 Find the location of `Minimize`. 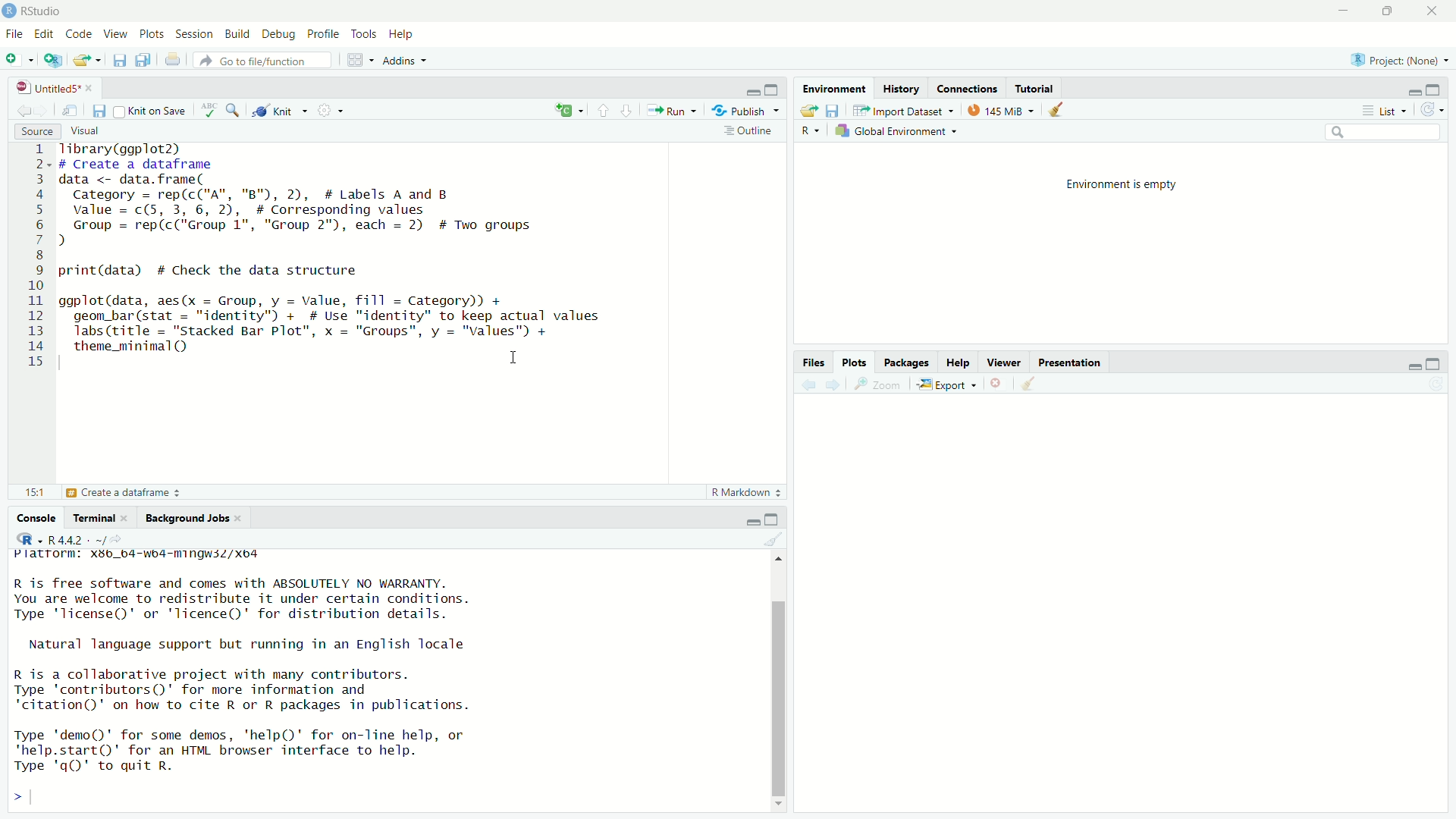

Minimize is located at coordinates (749, 522).